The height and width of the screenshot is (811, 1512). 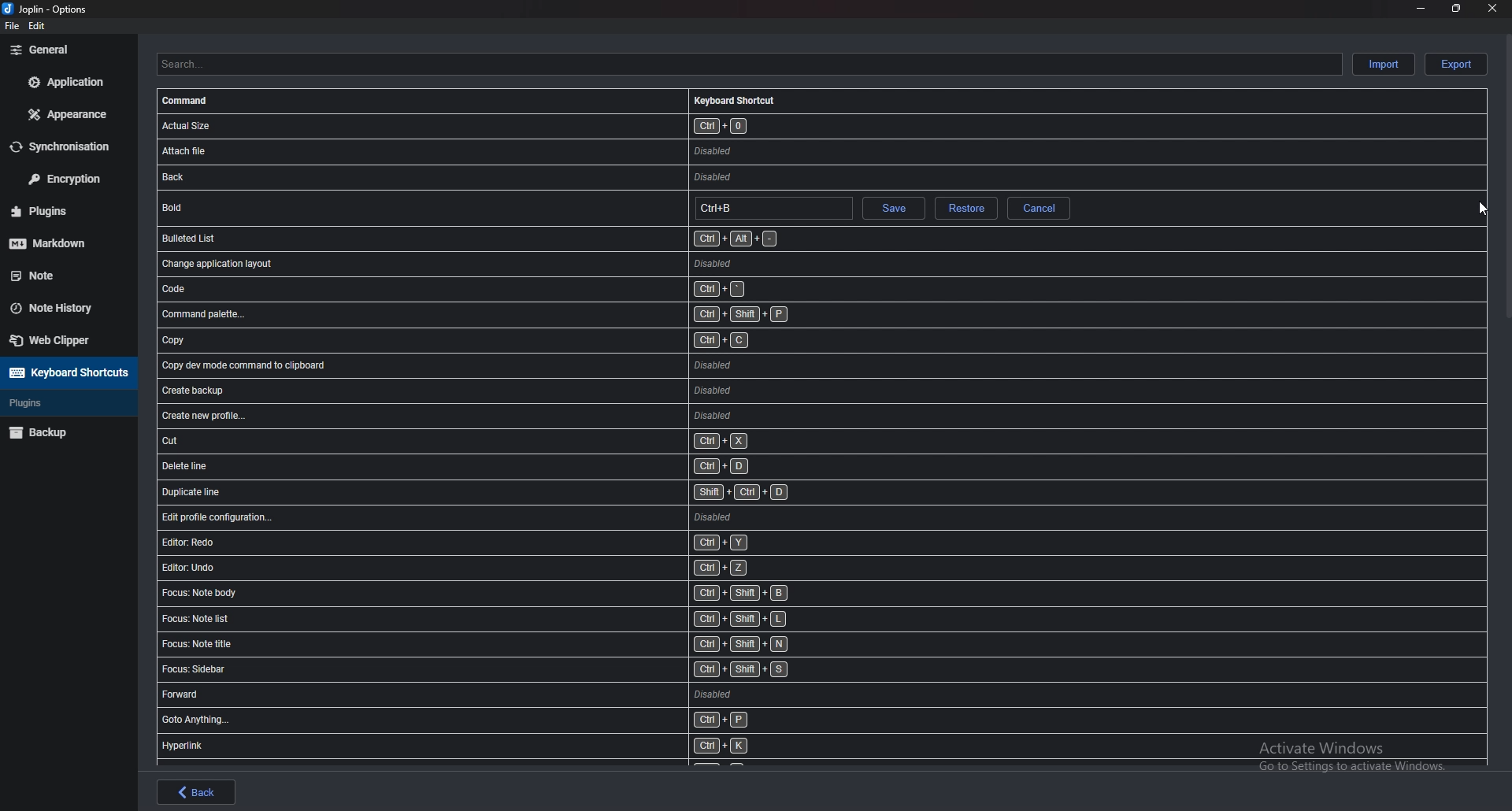 I want to click on Note, so click(x=58, y=273).